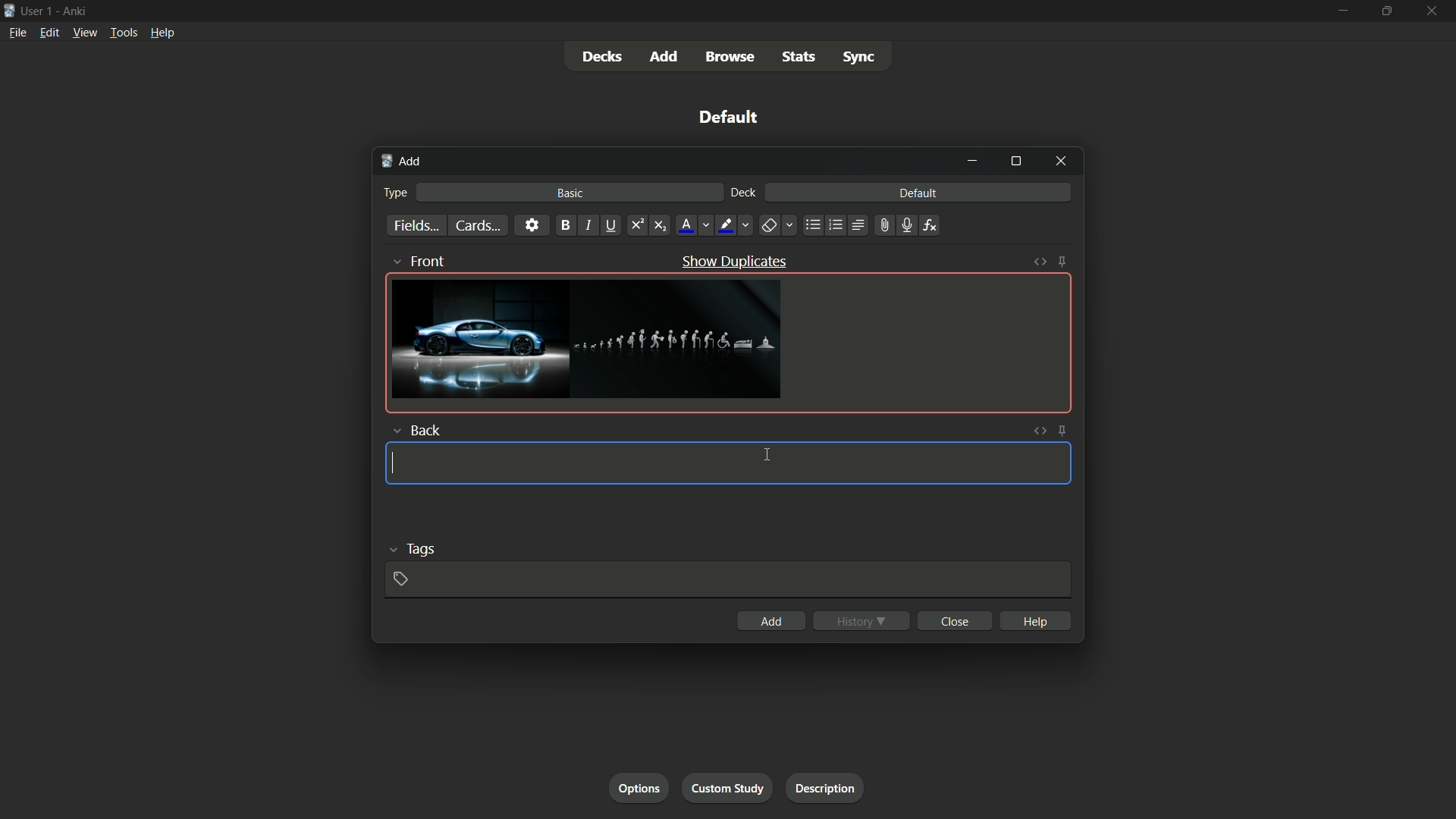 Image resolution: width=1456 pixels, height=819 pixels. Describe the element at coordinates (1341, 11) in the screenshot. I see `minimize` at that location.